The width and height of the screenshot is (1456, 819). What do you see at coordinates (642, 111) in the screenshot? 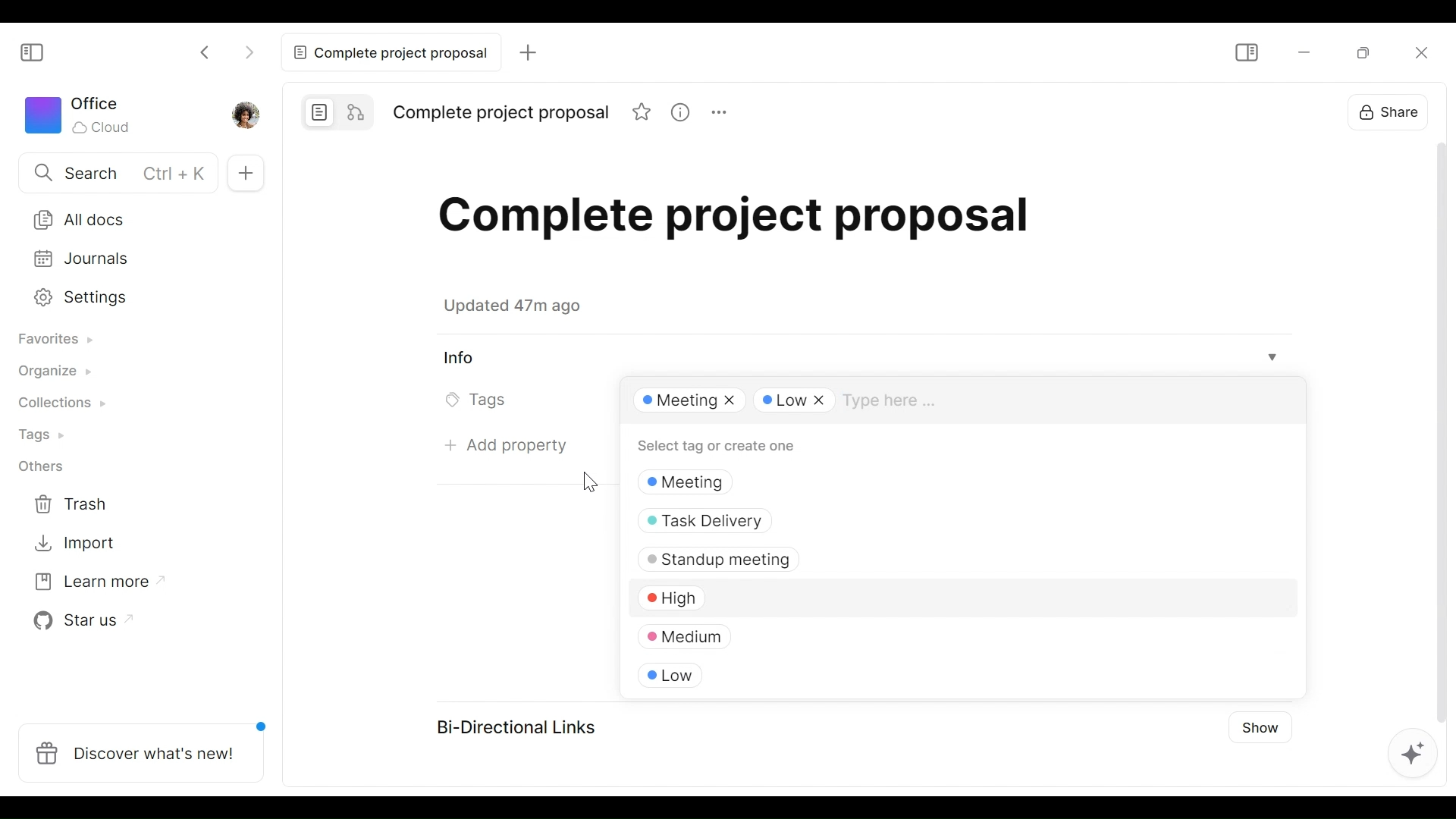
I see `Favorite` at bounding box center [642, 111].